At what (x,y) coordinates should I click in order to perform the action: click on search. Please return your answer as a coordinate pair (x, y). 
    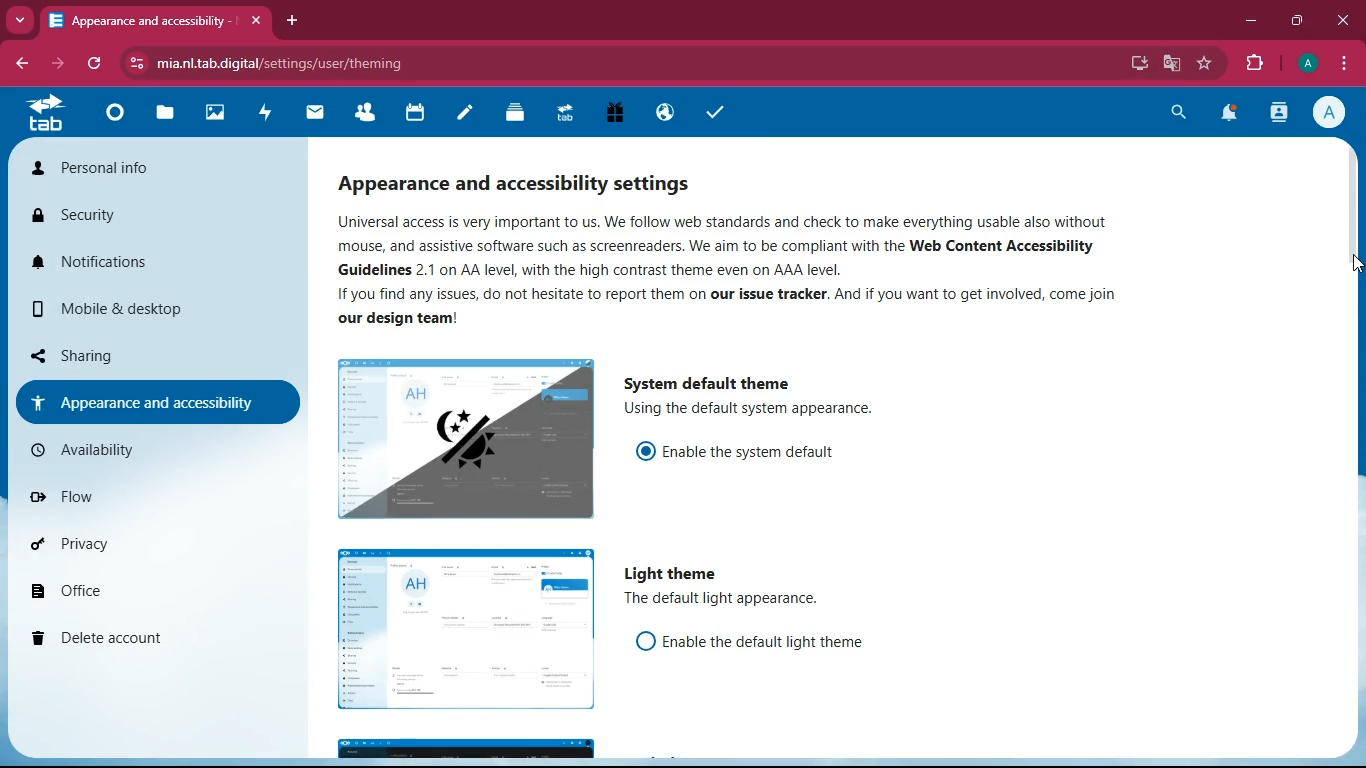
    Looking at the image, I should click on (1176, 115).